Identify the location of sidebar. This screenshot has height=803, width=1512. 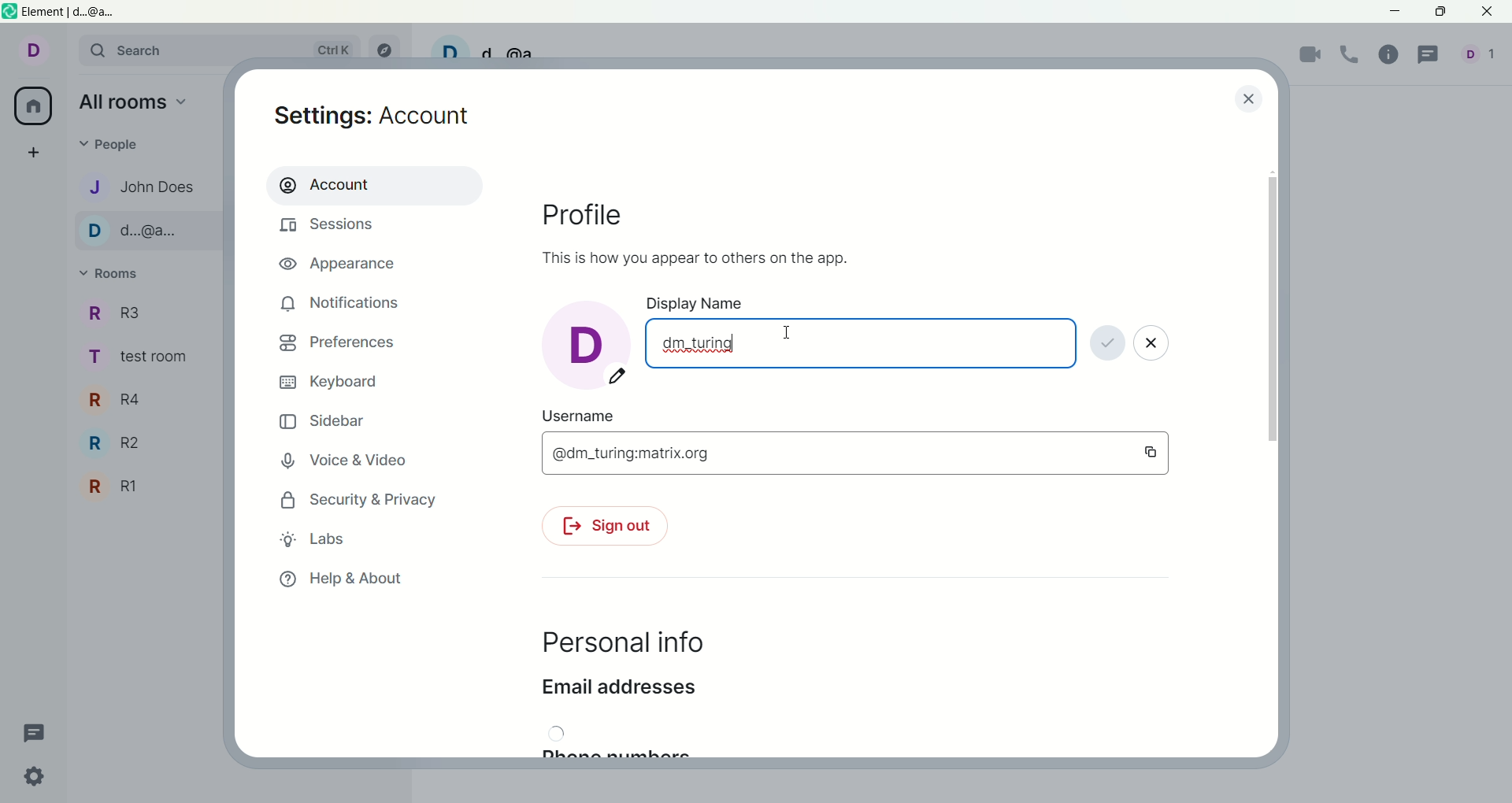
(324, 424).